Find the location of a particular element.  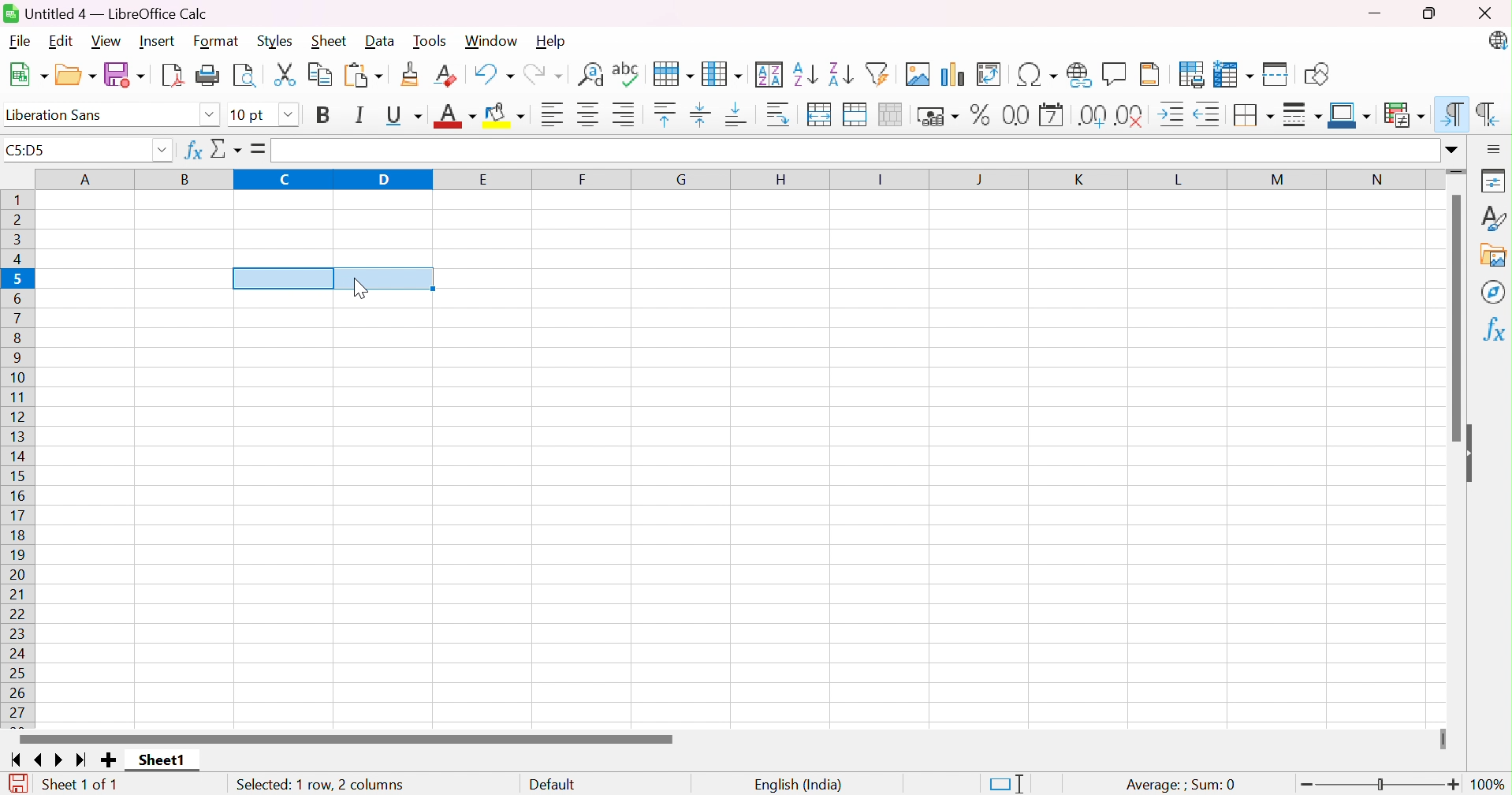

Window is located at coordinates (493, 40).